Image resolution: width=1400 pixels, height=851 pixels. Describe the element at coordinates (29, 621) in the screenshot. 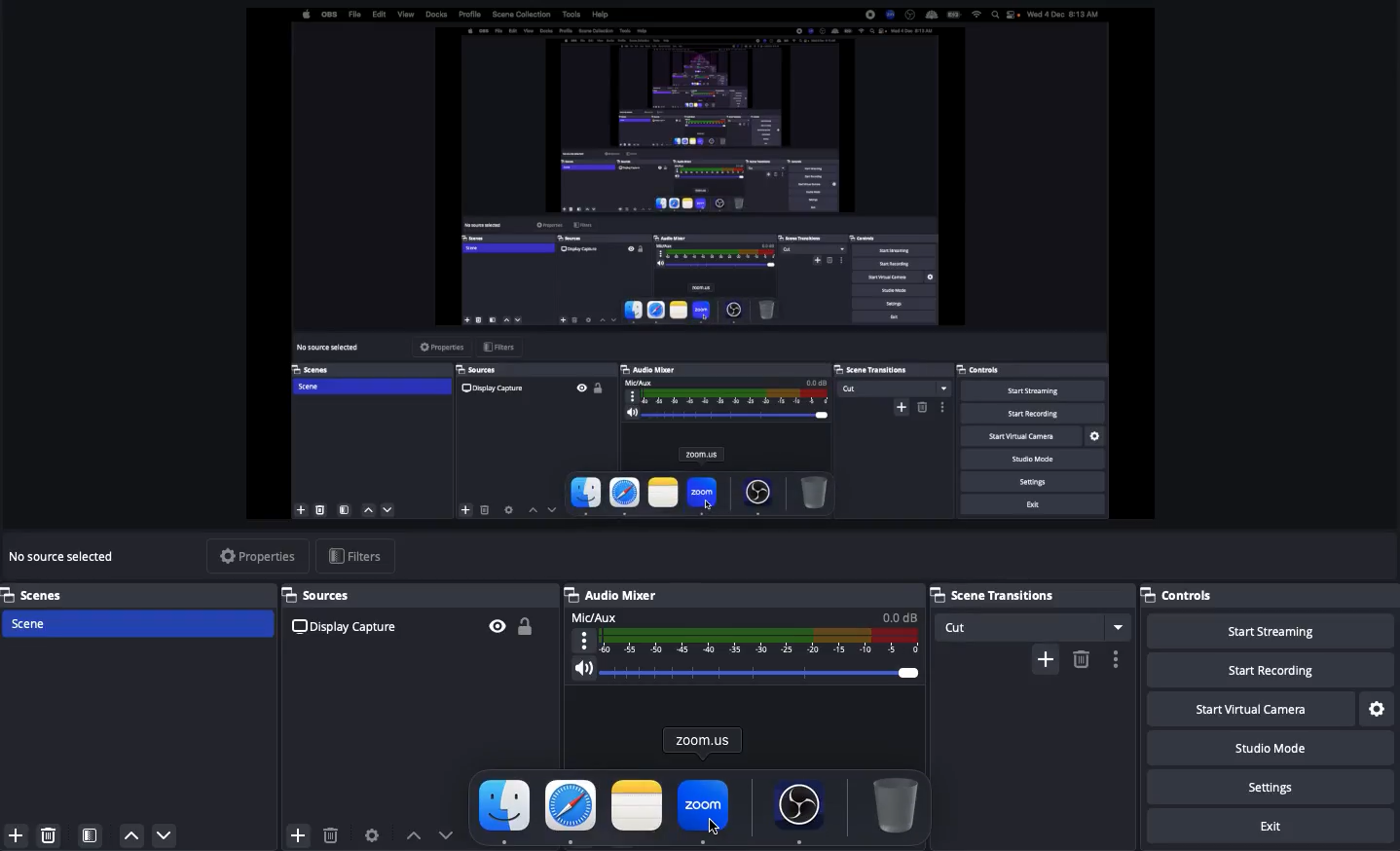

I see `Scene` at that location.